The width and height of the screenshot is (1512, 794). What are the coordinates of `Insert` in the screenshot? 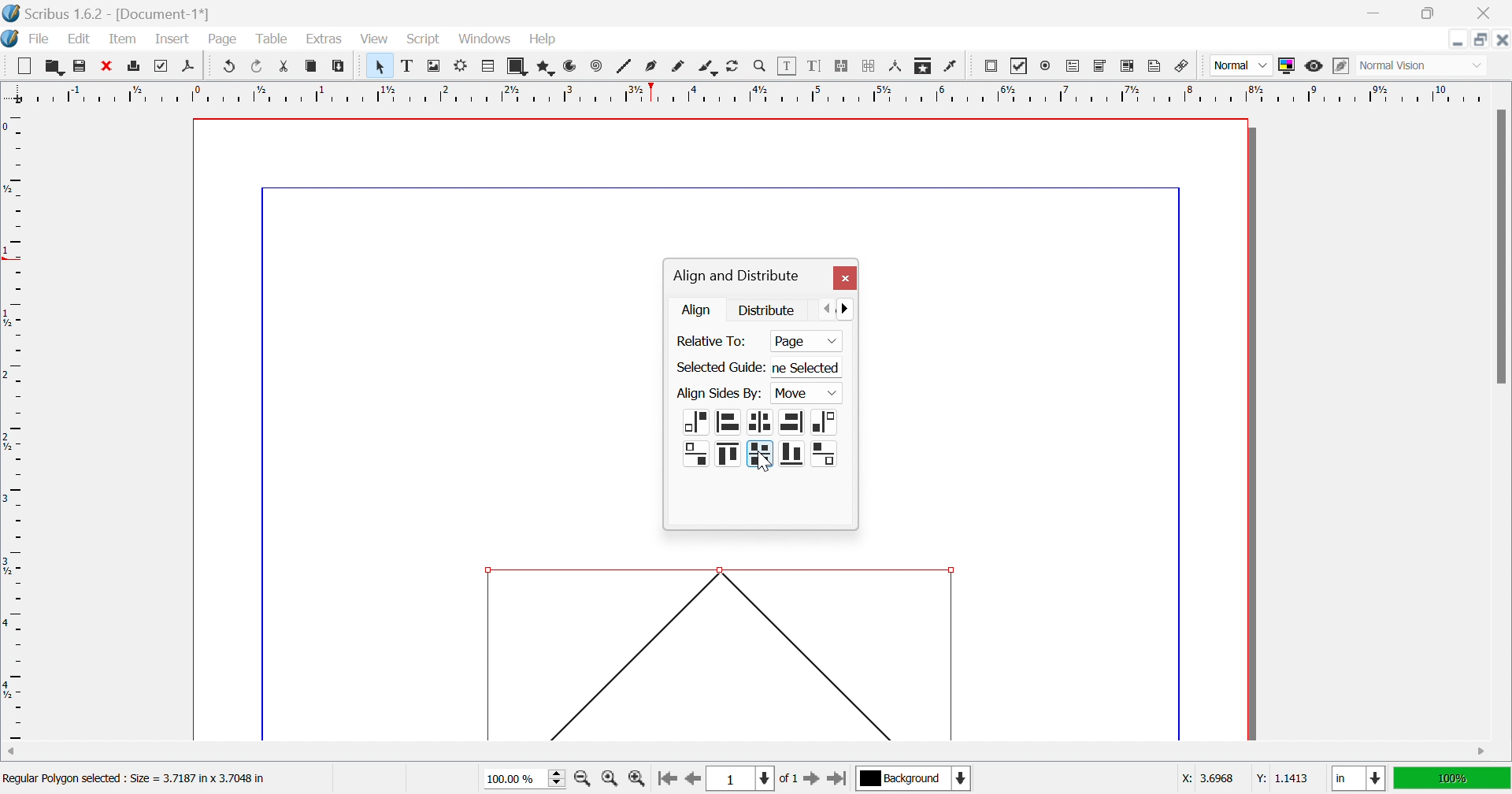 It's located at (172, 38).